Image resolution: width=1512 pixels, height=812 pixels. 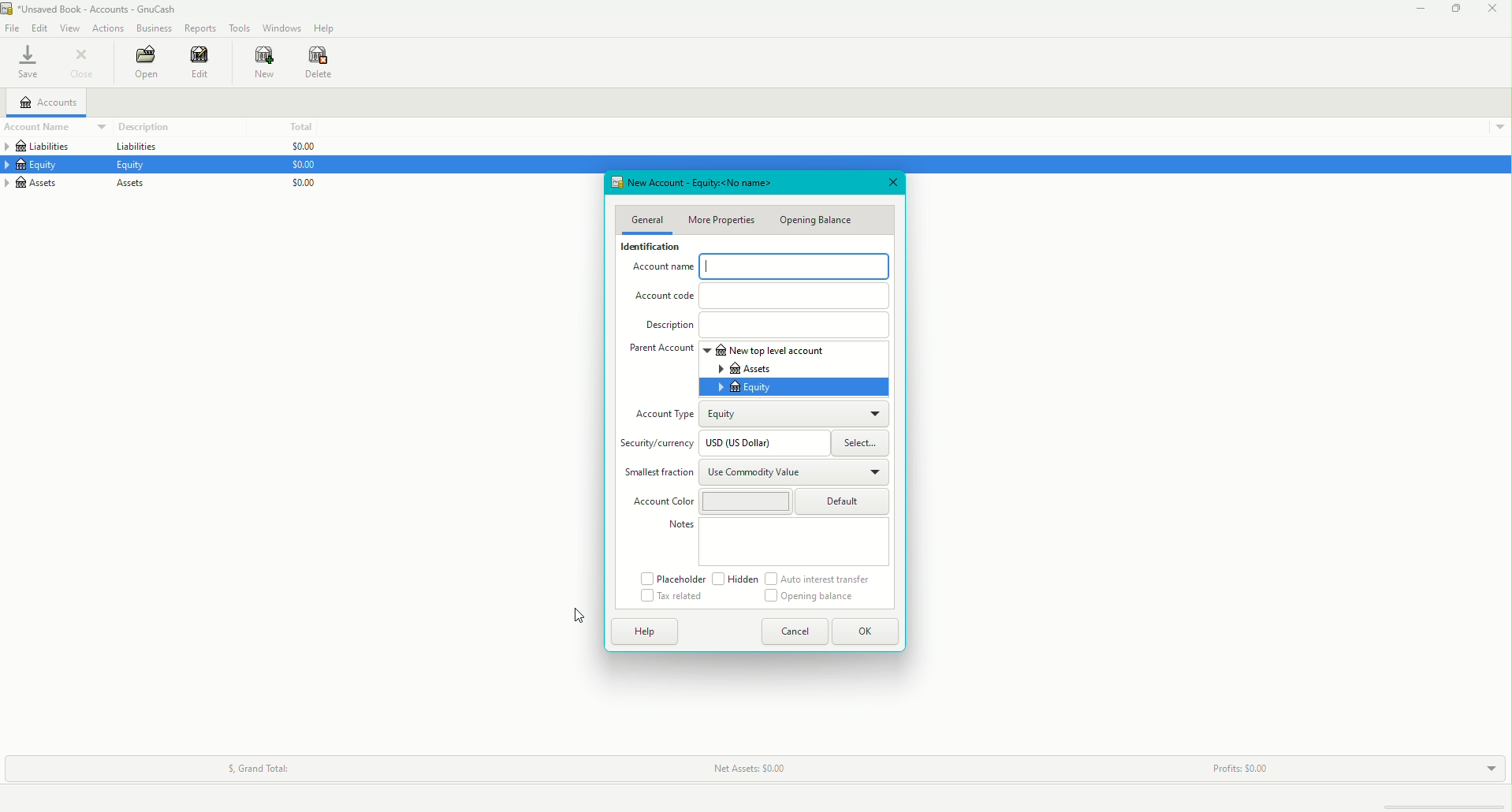 I want to click on Reports, so click(x=199, y=28).